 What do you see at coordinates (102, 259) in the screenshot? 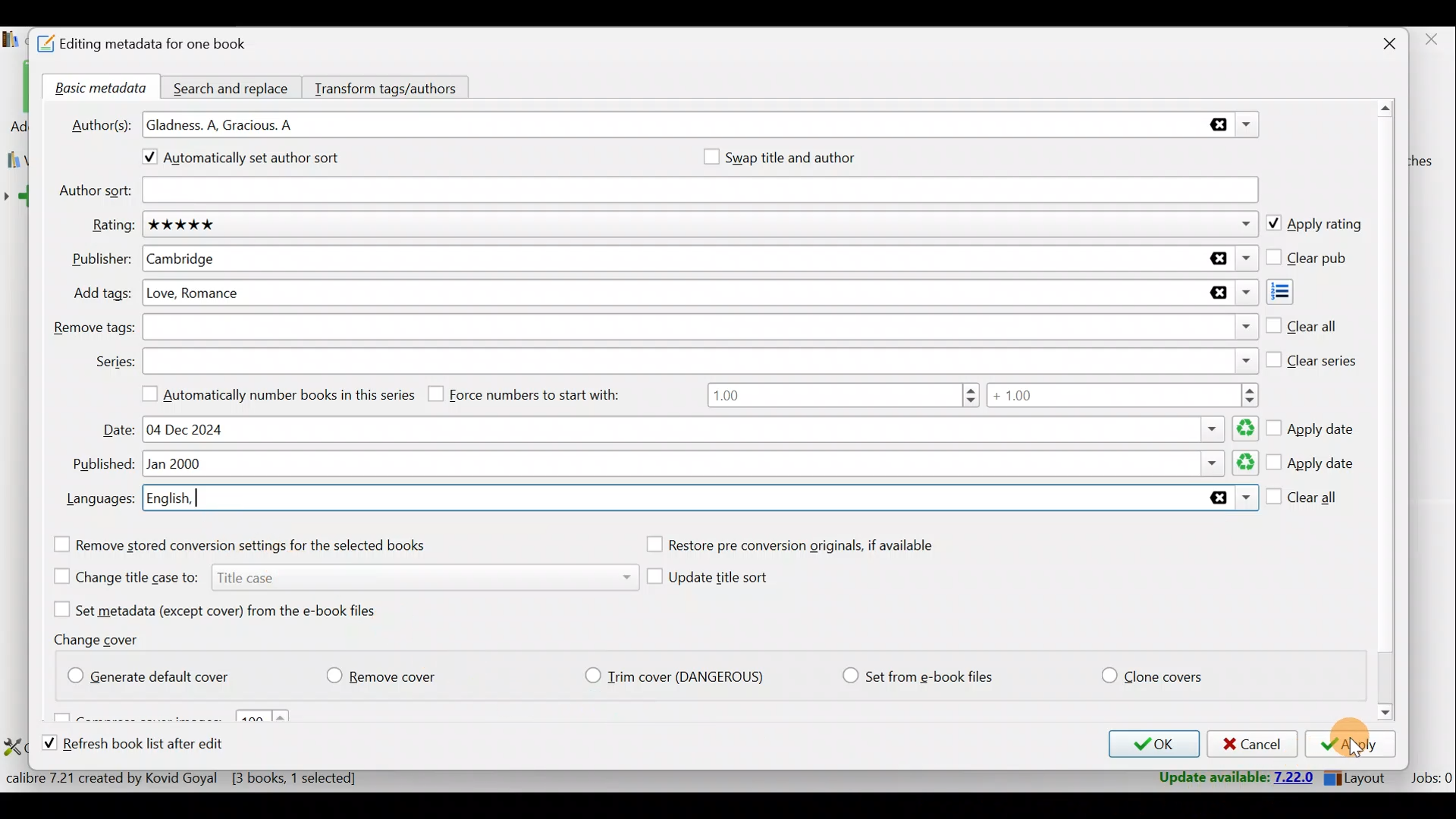
I see `Publisher:` at bounding box center [102, 259].